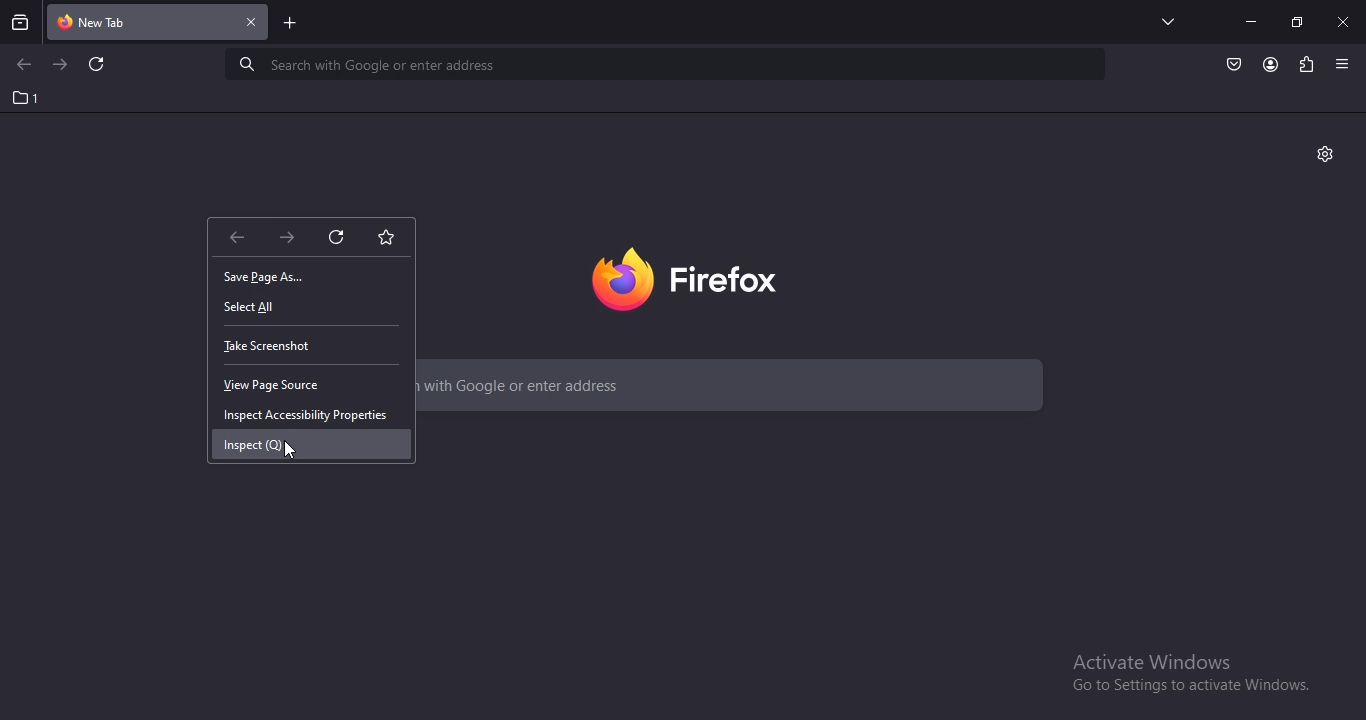 Image resolution: width=1366 pixels, height=720 pixels. I want to click on extensions, so click(1304, 63).